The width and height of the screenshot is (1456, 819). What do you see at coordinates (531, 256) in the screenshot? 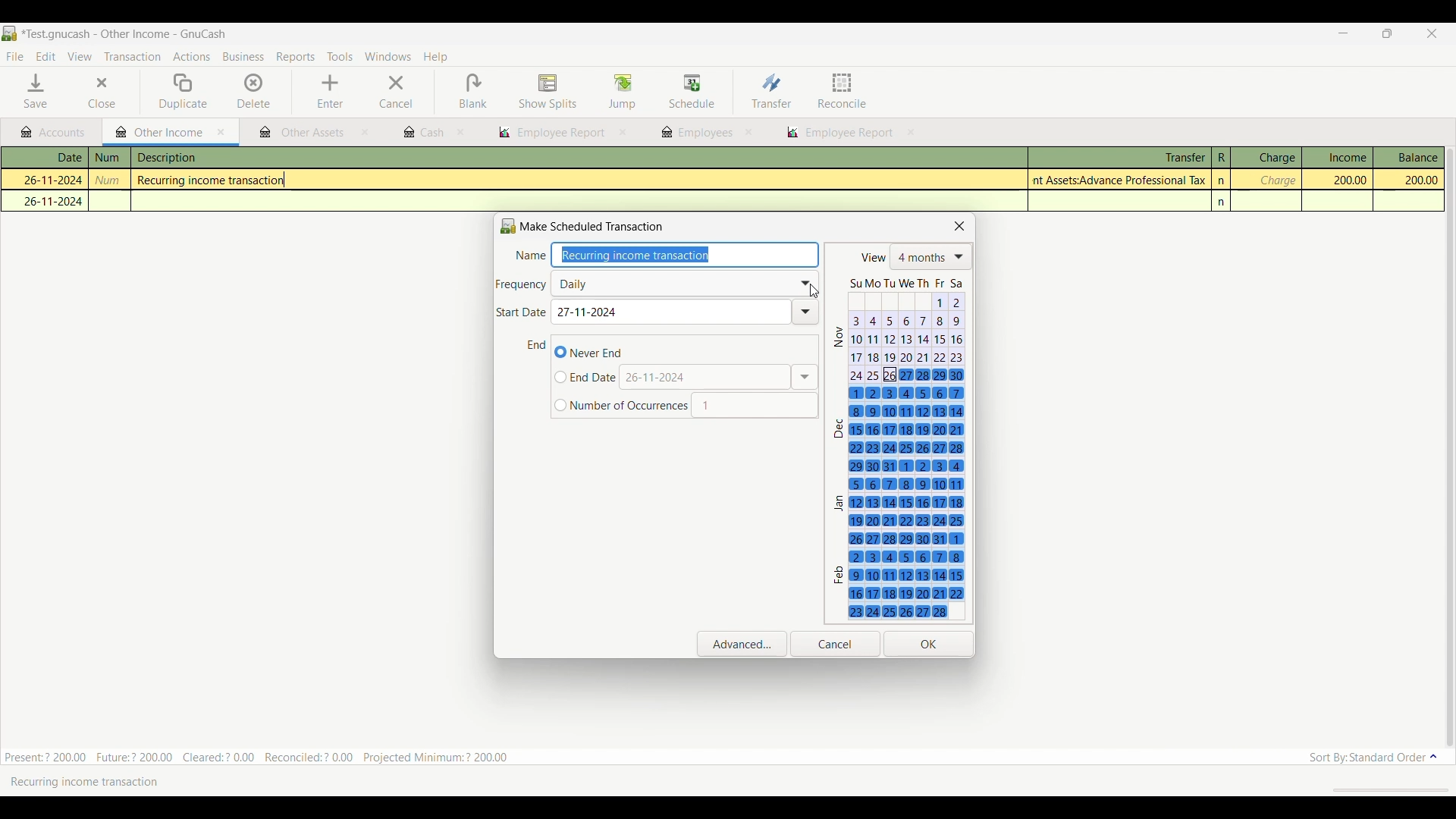
I see `Indicates name of transaction` at bounding box center [531, 256].